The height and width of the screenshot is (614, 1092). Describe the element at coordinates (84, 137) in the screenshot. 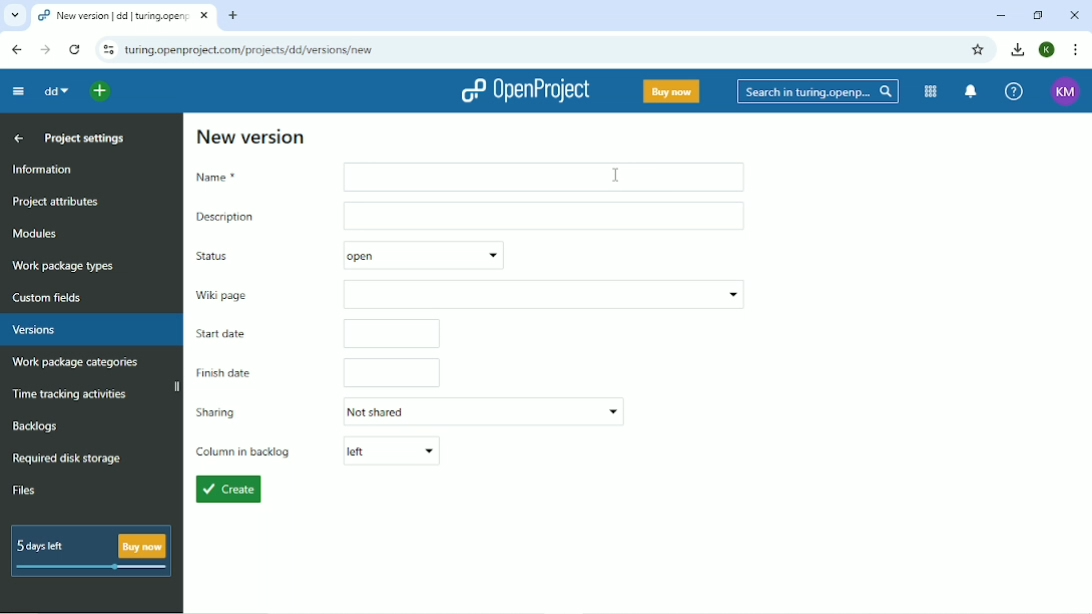

I see `Project settings` at that location.